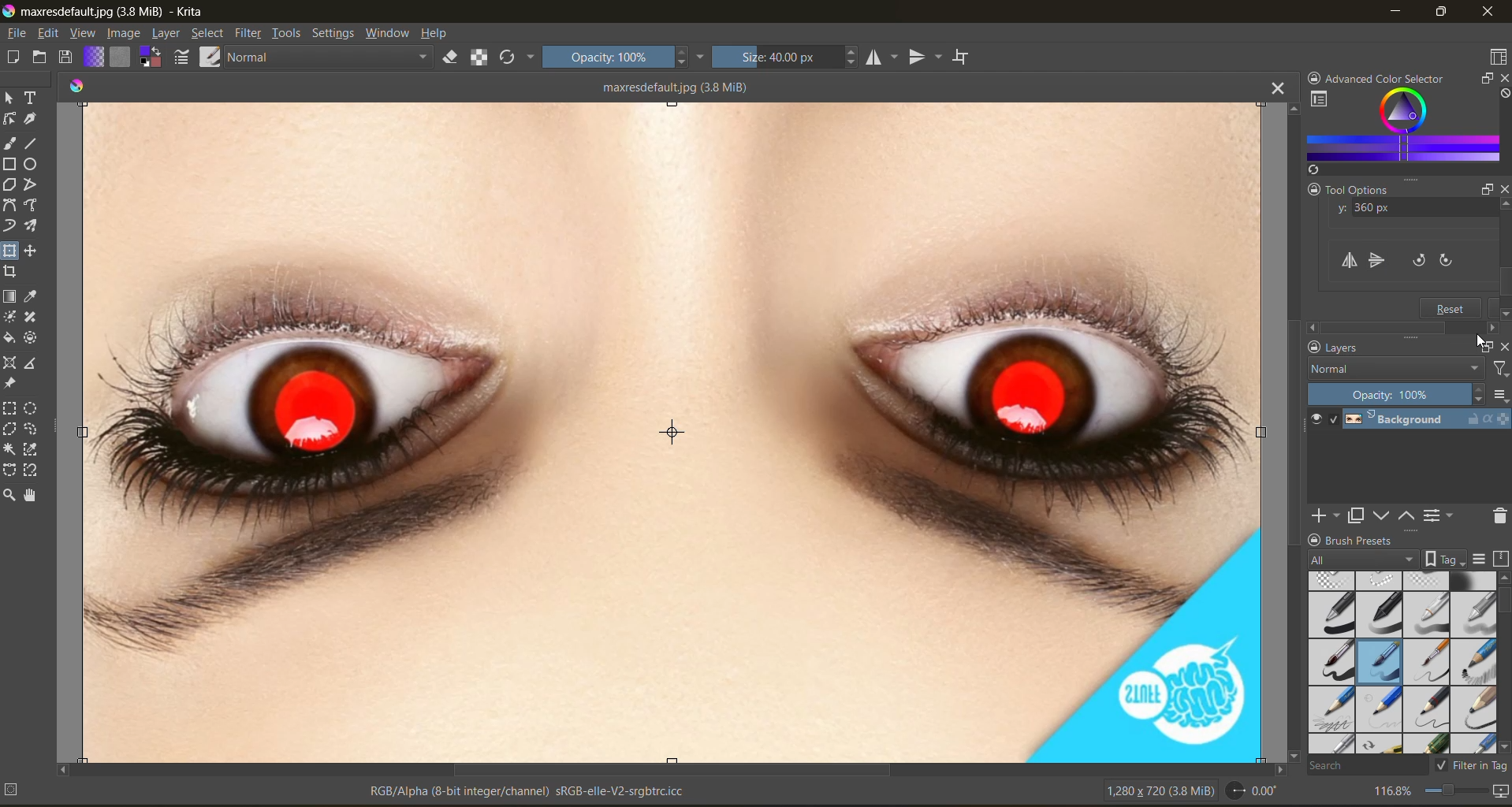 The height and width of the screenshot is (807, 1512). What do you see at coordinates (1400, 326) in the screenshot?
I see `scrollbar` at bounding box center [1400, 326].